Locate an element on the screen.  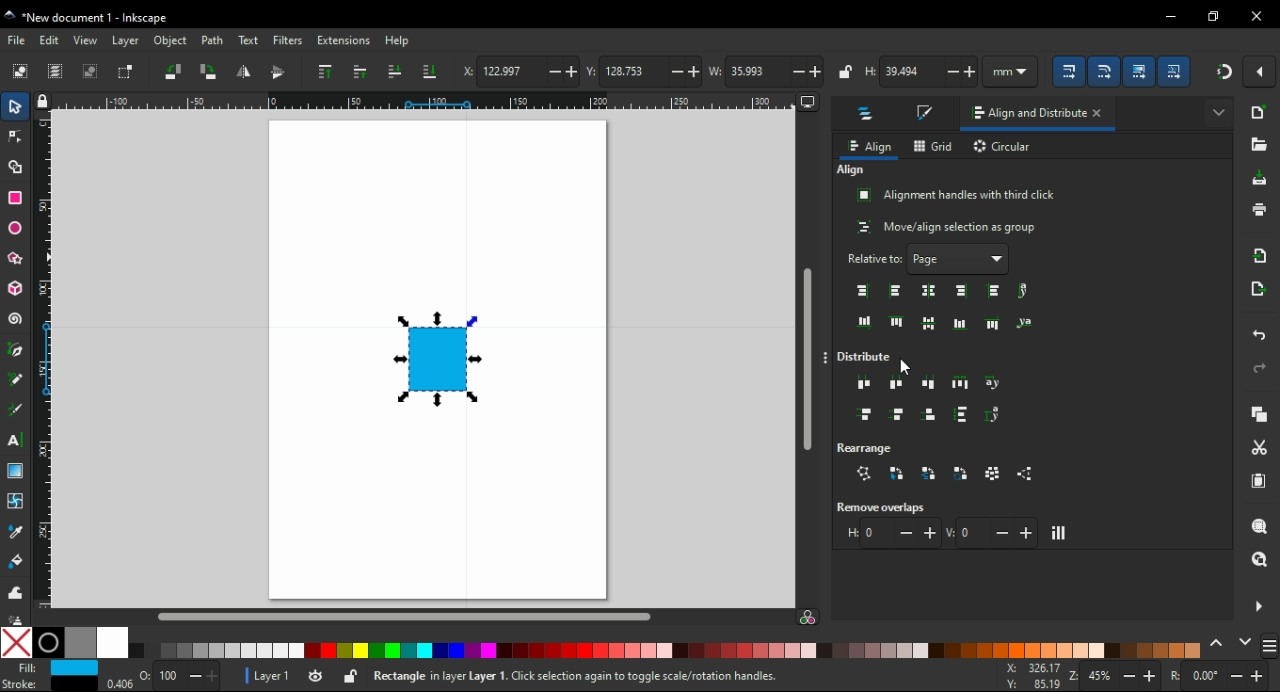
select is located at coordinates (17, 109).